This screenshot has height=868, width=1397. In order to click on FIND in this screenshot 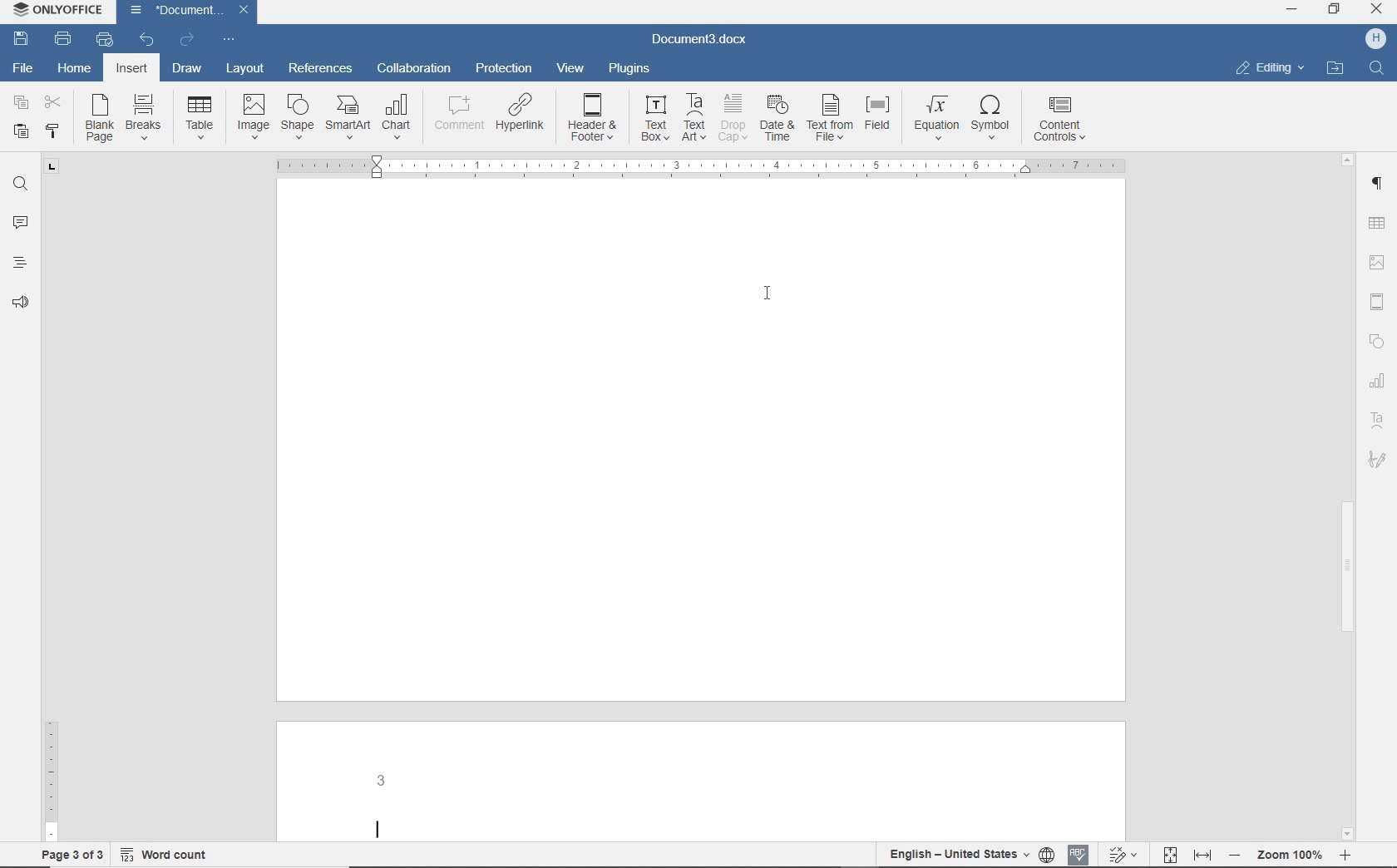, I will do `click(1376, 70)`.